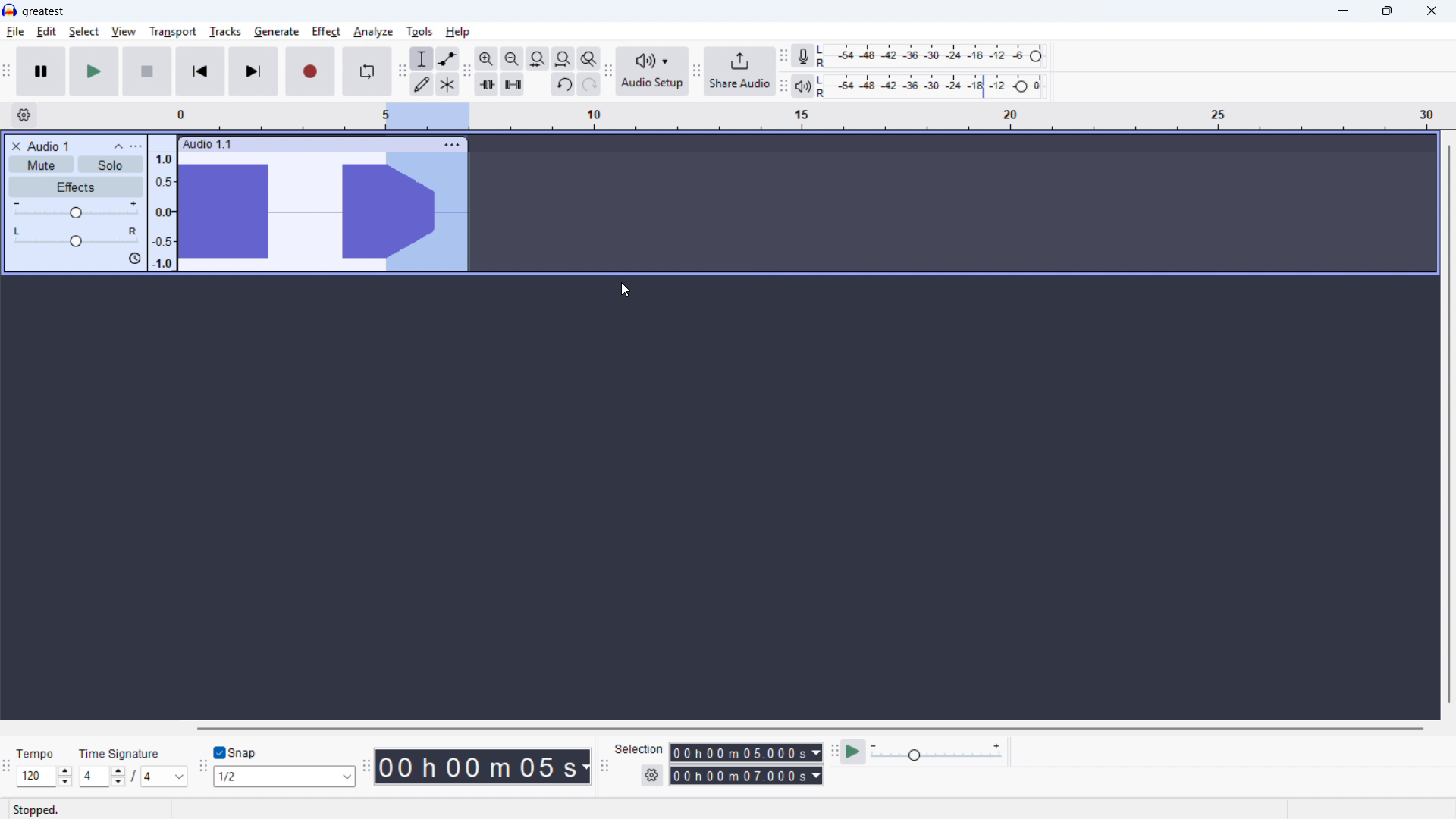 This screenshot has height=819, width=1456. Describe the element at coordinates (447, 85) in the screenshot. I see `Multi tool ` at that location.